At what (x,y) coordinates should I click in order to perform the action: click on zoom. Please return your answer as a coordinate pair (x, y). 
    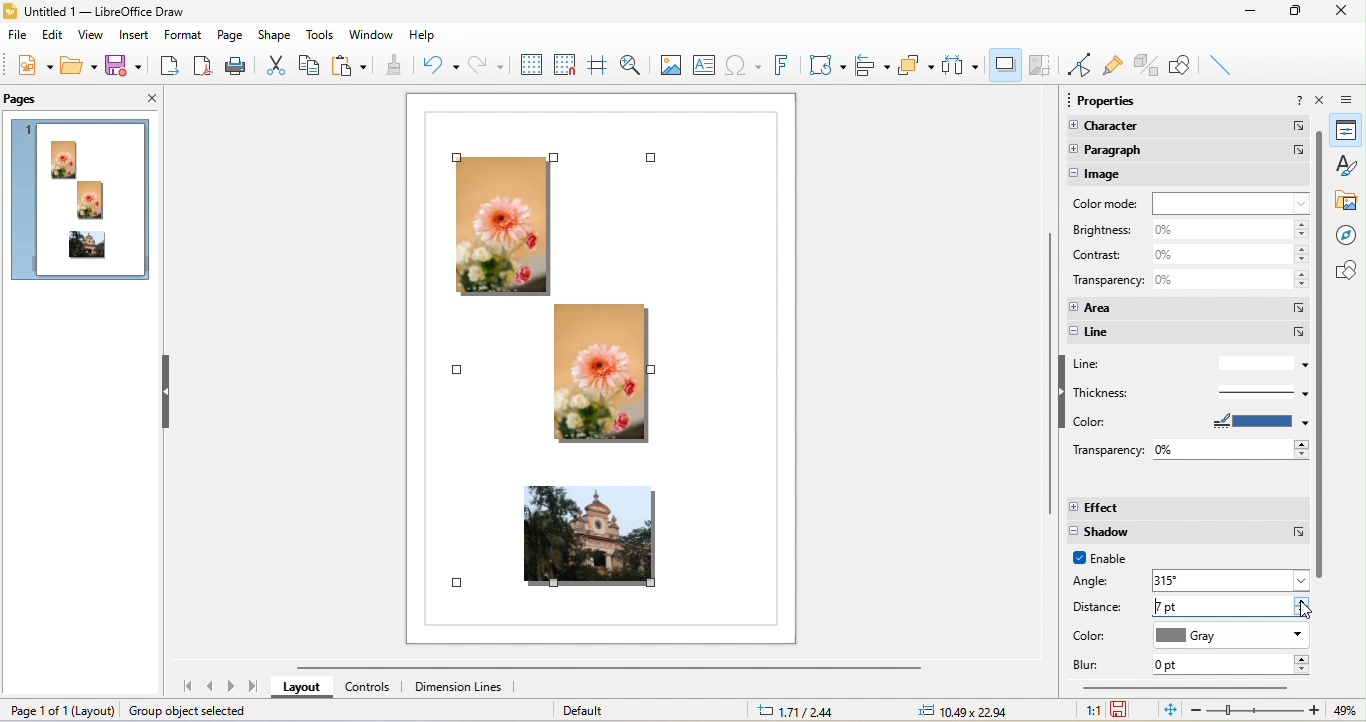
    Looking at the image, I should click on (1256, 710).